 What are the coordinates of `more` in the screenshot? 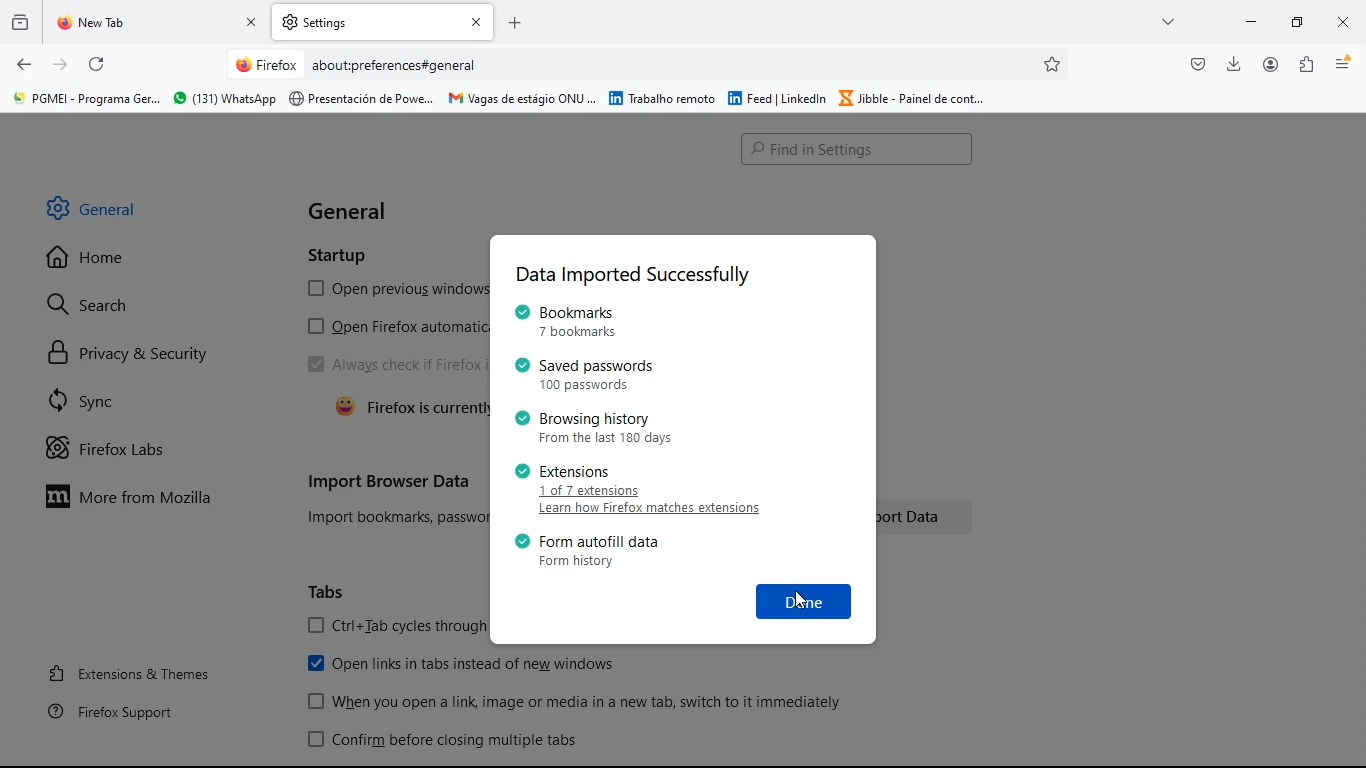 It's located at (1169, 21).